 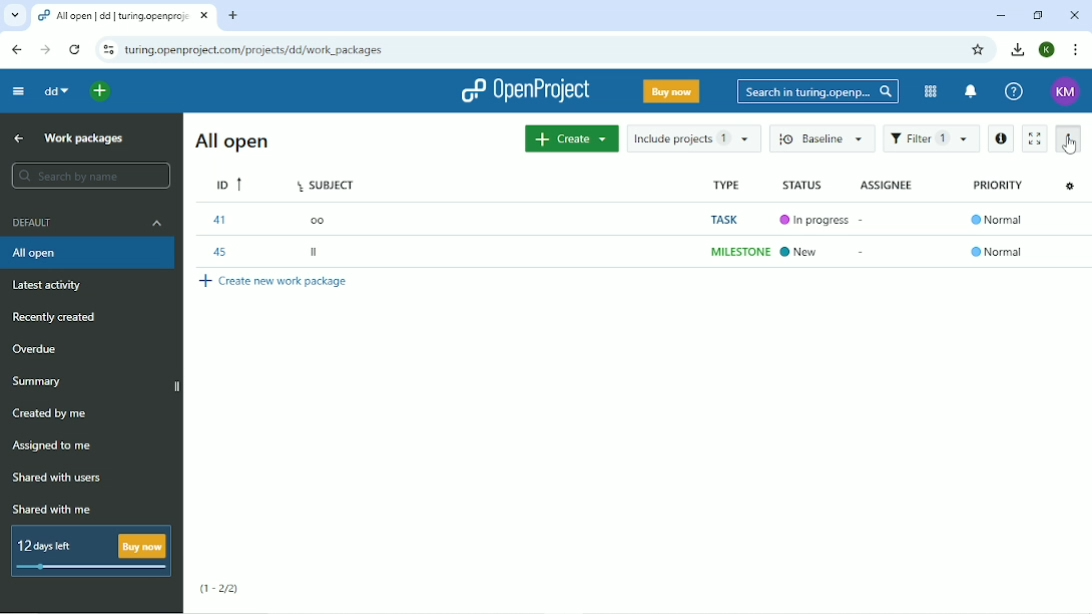 I want to click on Overdue, so click(x=35, y=349).